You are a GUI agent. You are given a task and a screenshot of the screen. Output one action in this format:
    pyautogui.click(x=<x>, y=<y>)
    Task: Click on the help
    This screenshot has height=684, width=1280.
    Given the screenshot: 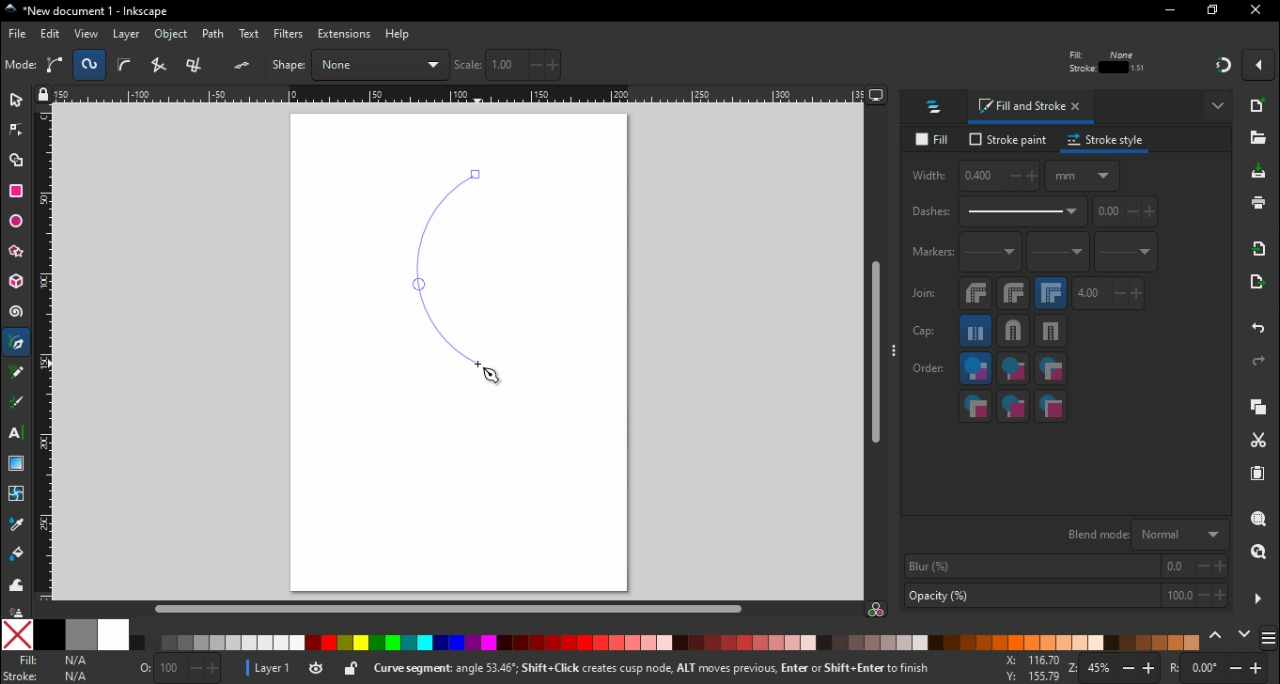 What is the action you would take?
    pyautogui.click(x=399, y=35)
    